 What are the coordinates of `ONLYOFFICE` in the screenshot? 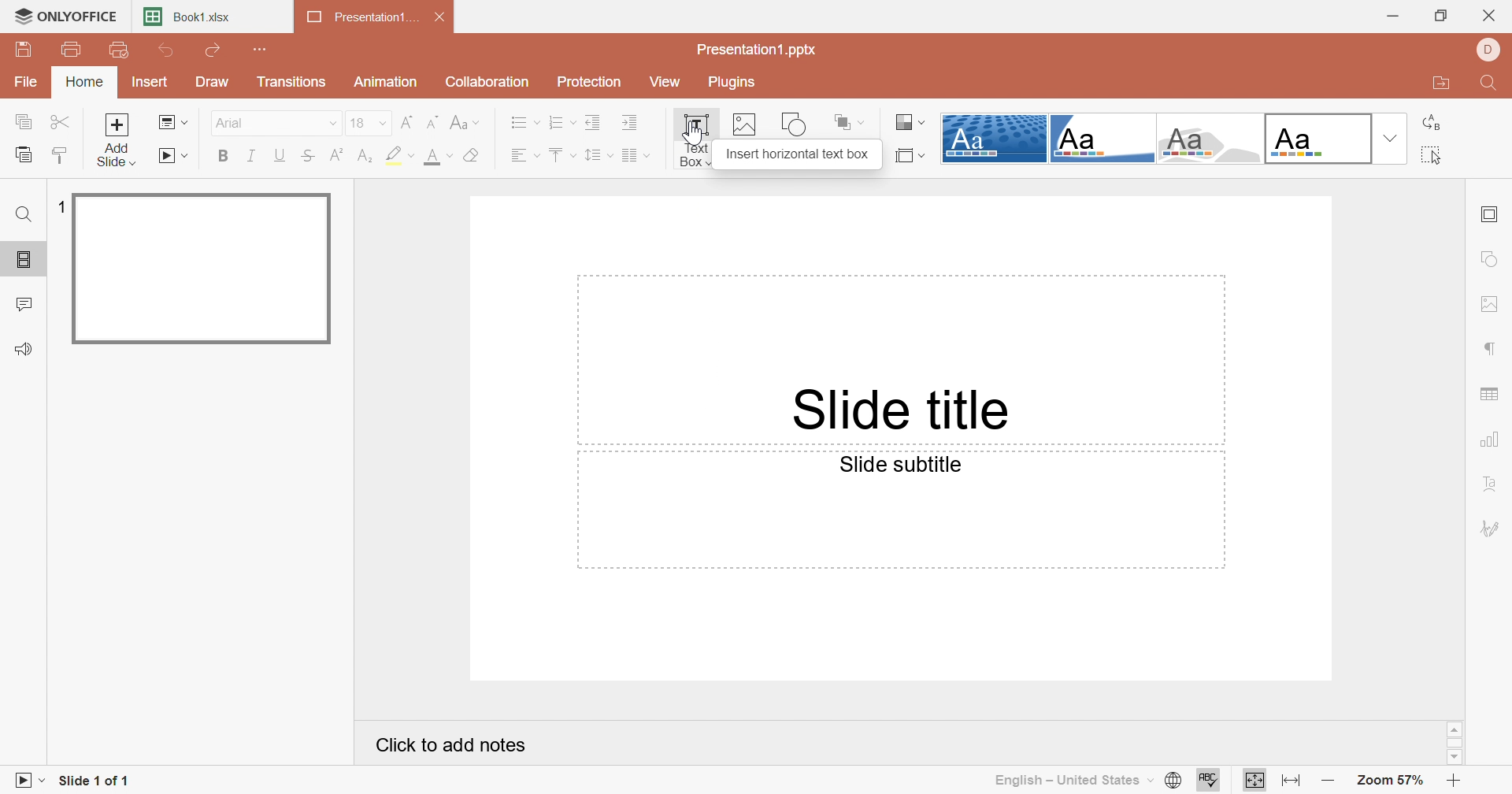 It's located at (64, 16).